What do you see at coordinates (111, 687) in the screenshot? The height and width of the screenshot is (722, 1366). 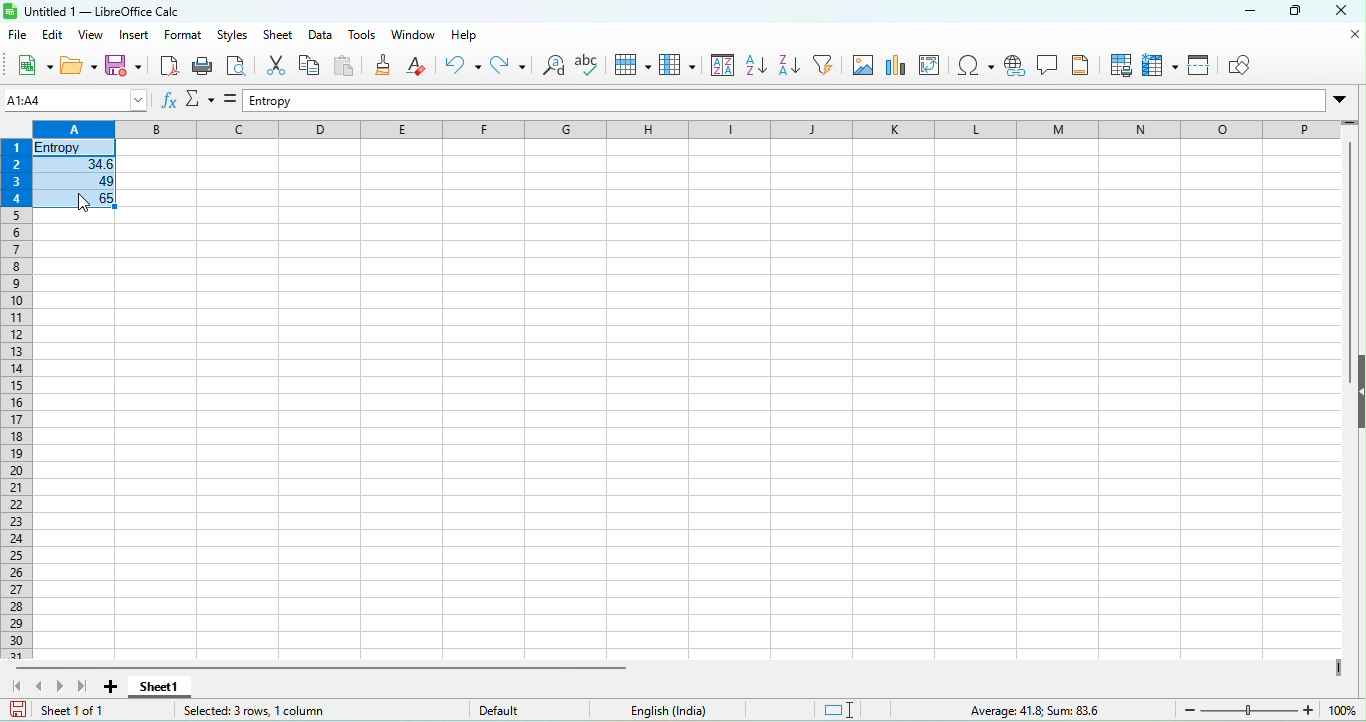 I see `add new sheet` at bounding box center [111, 687].